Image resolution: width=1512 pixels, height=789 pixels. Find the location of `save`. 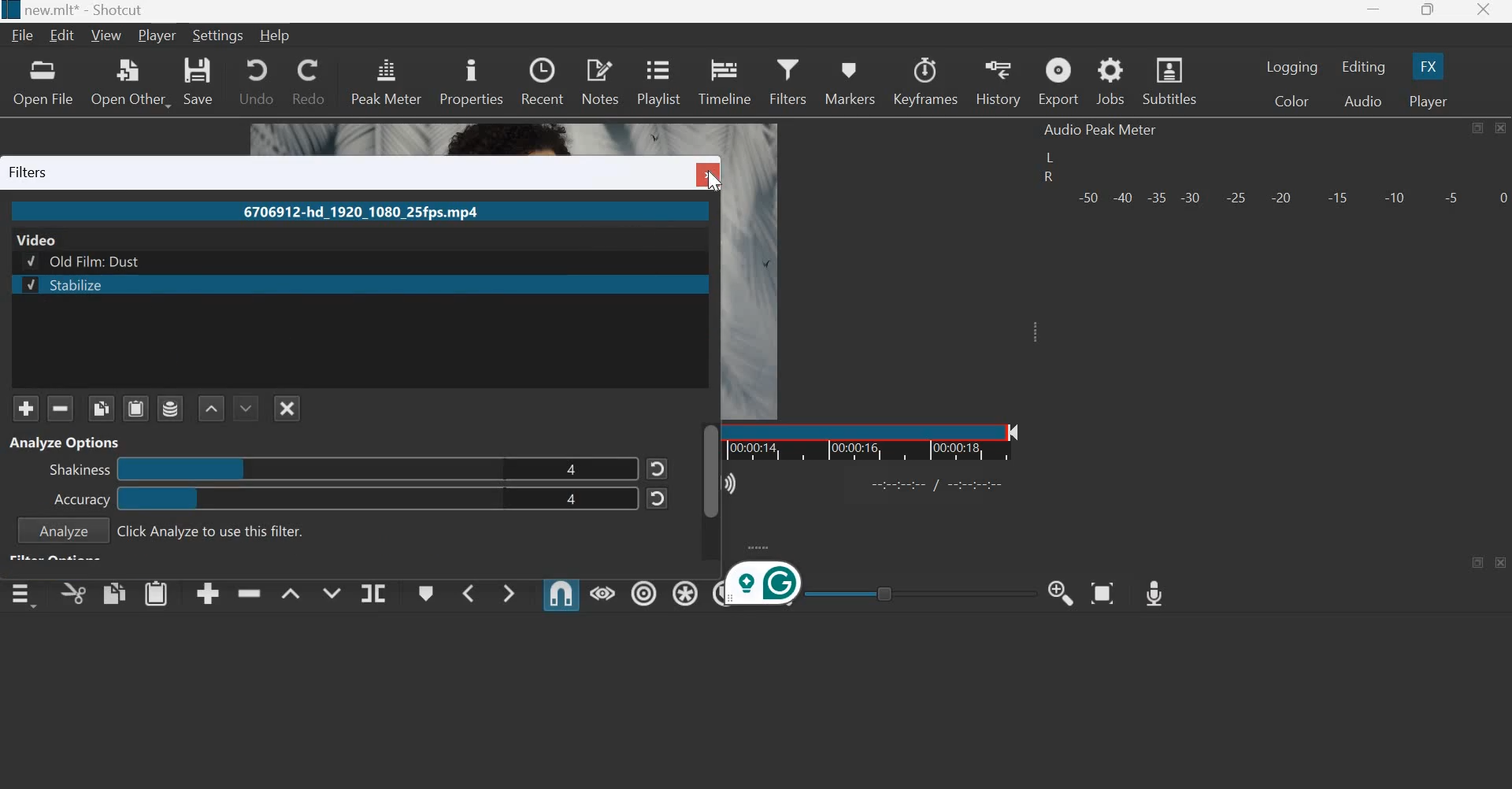

save is located at coordinates (202, 83).